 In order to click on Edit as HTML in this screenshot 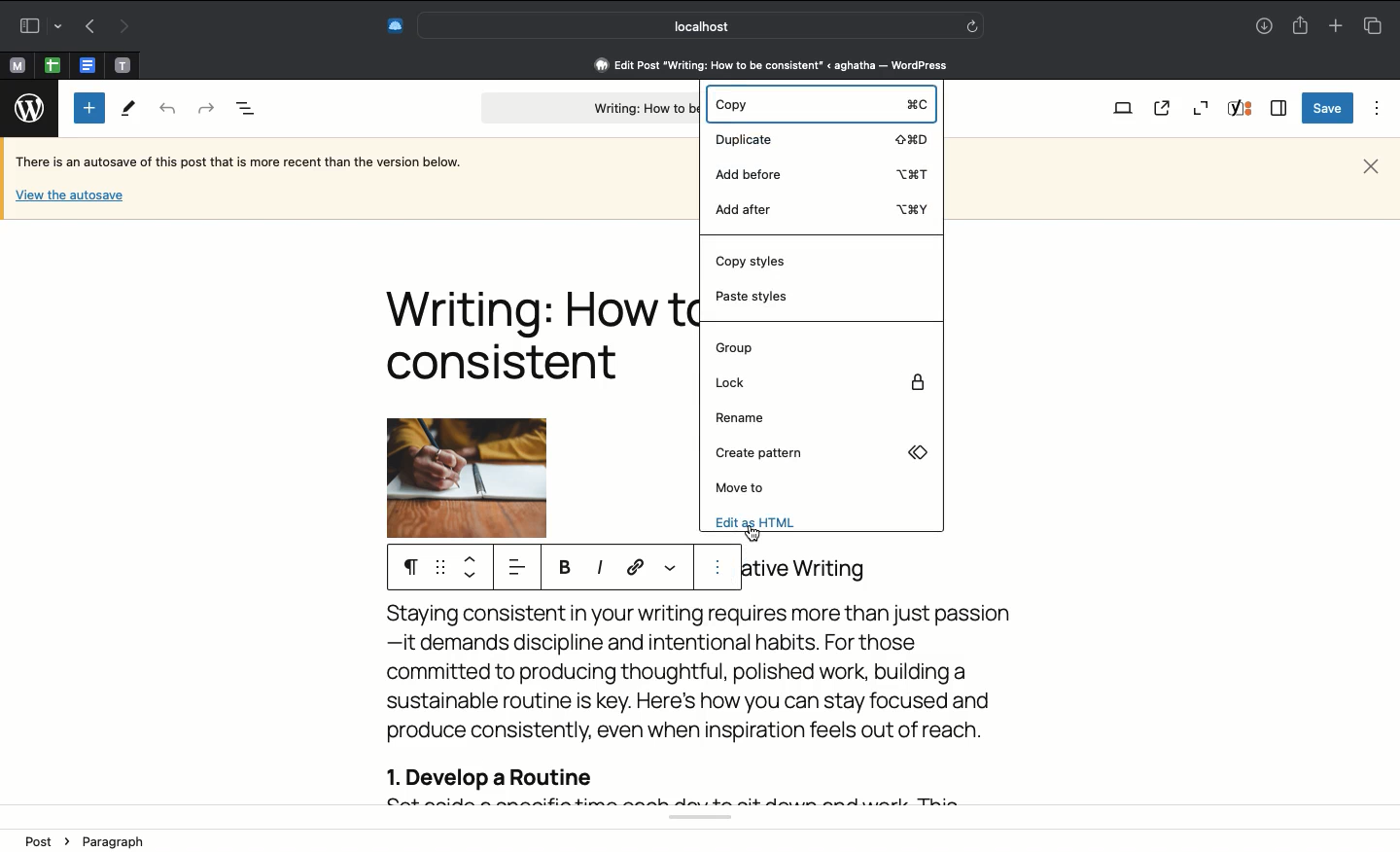, I will do `click(764, 521)`.